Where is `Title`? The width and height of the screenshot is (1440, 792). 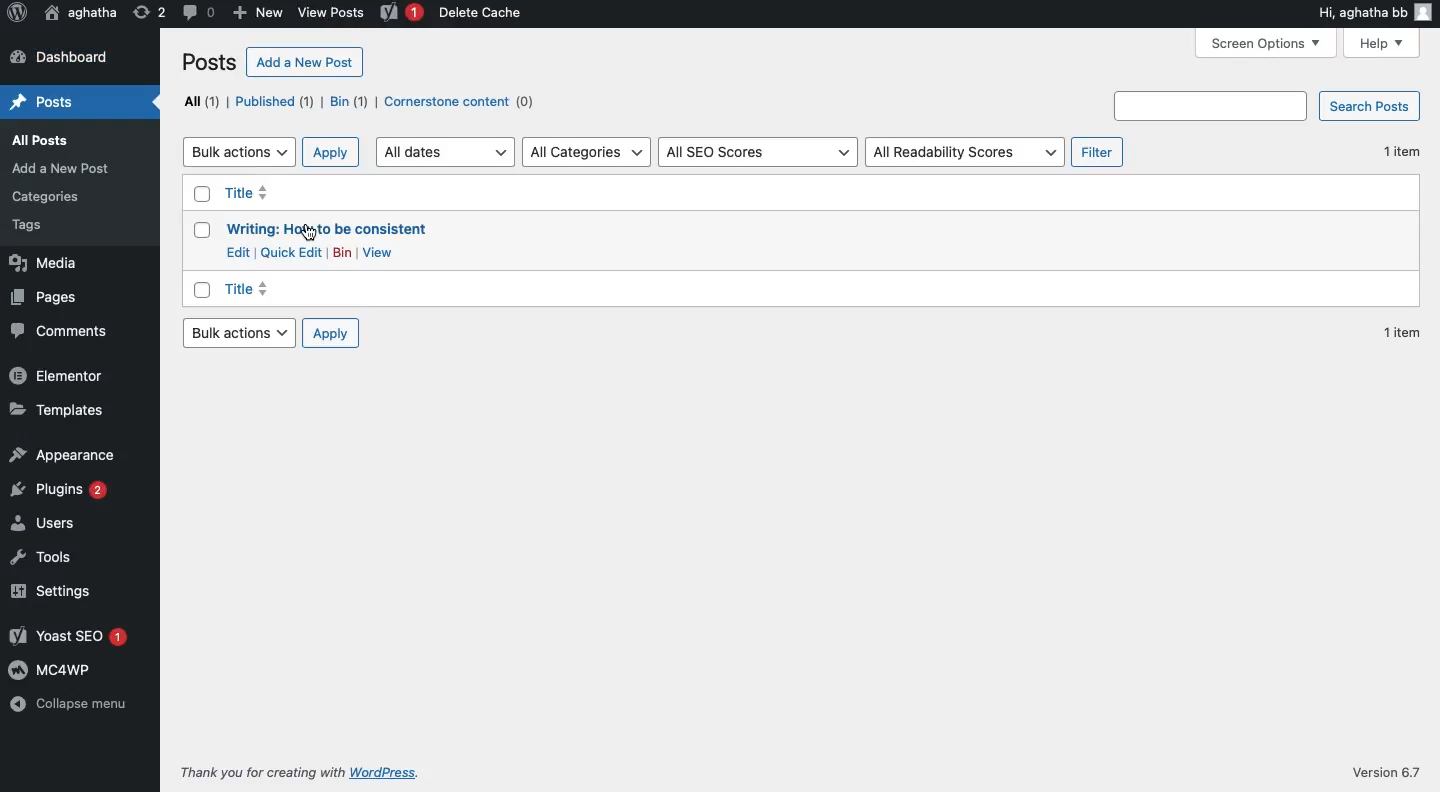
Title is located at coordinates (251, 192).